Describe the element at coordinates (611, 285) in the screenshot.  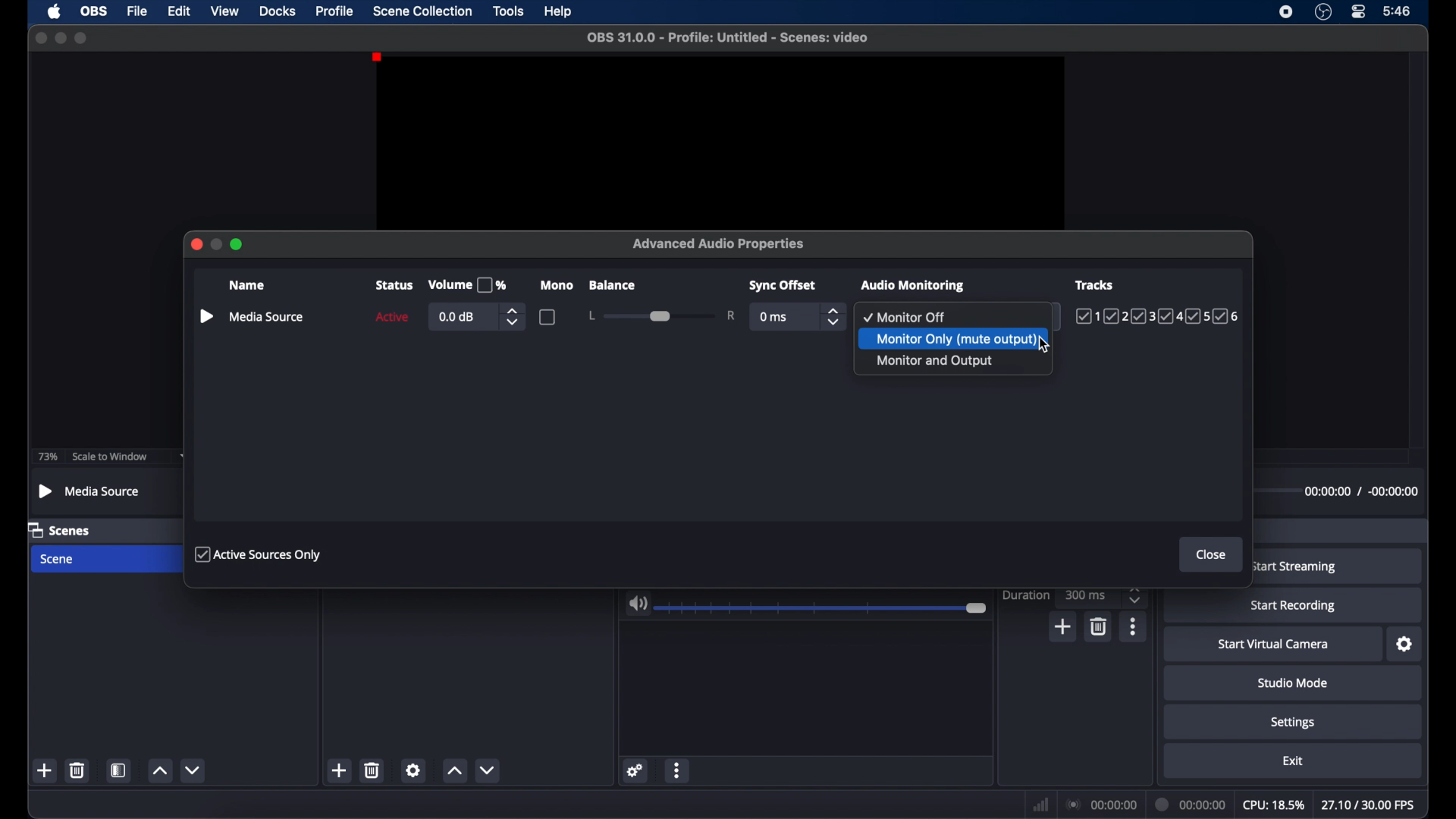
I see `balance` at that location.